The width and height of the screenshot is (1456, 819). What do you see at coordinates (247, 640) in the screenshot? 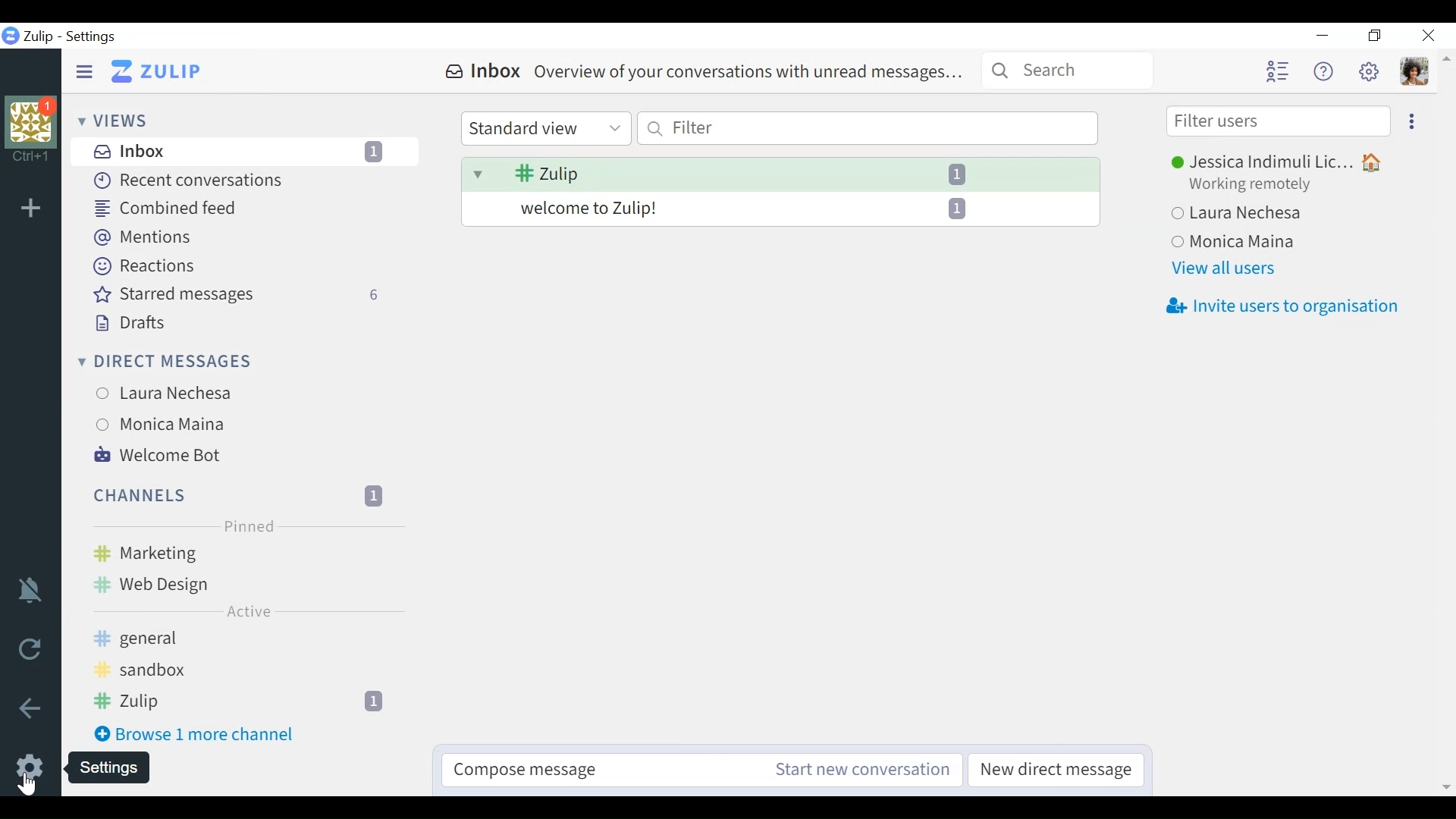
I see `#Channel` at bounding box center [247, 640].